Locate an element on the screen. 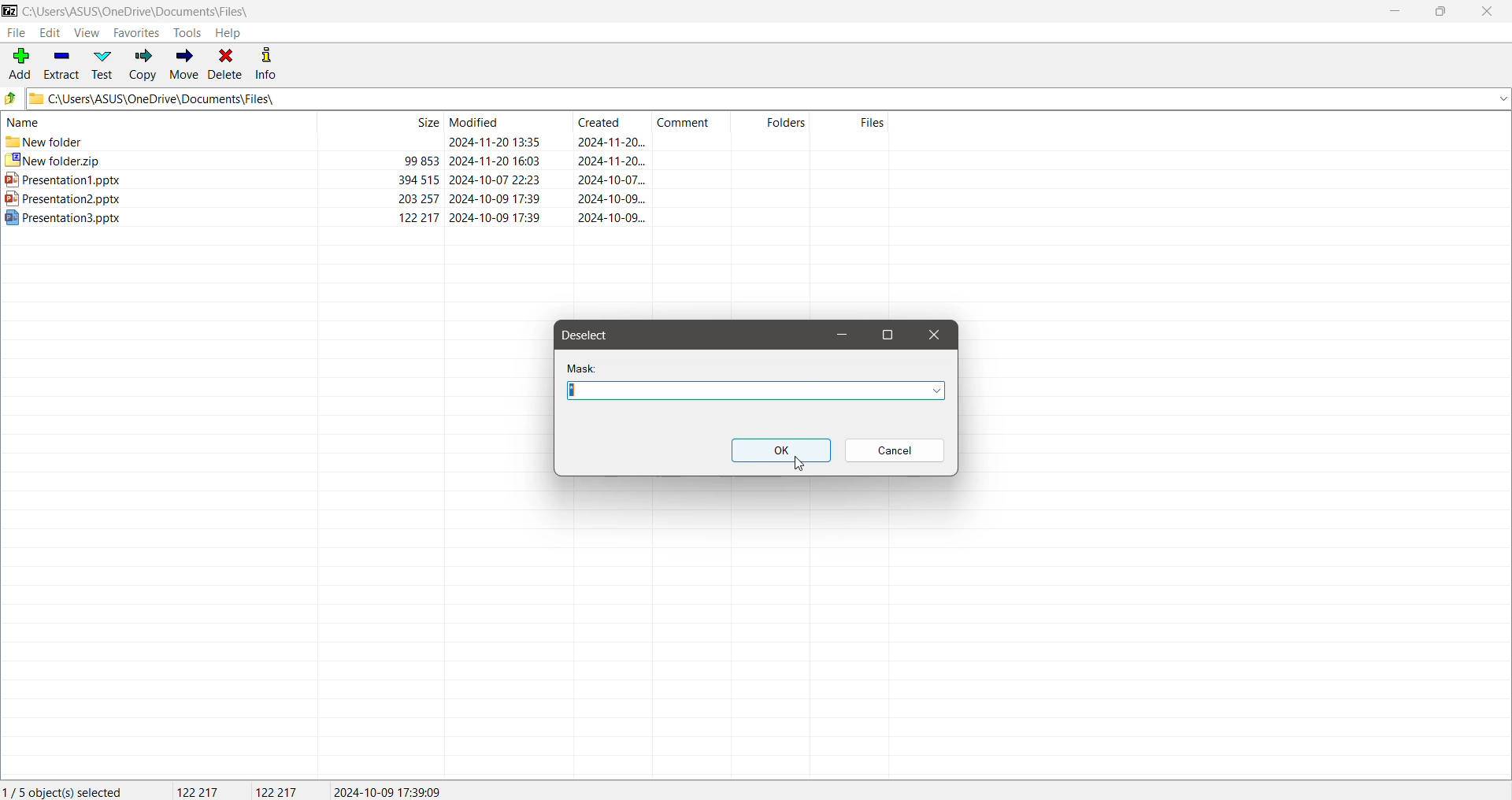  Set a Mask is located at coordinates (758, 391).